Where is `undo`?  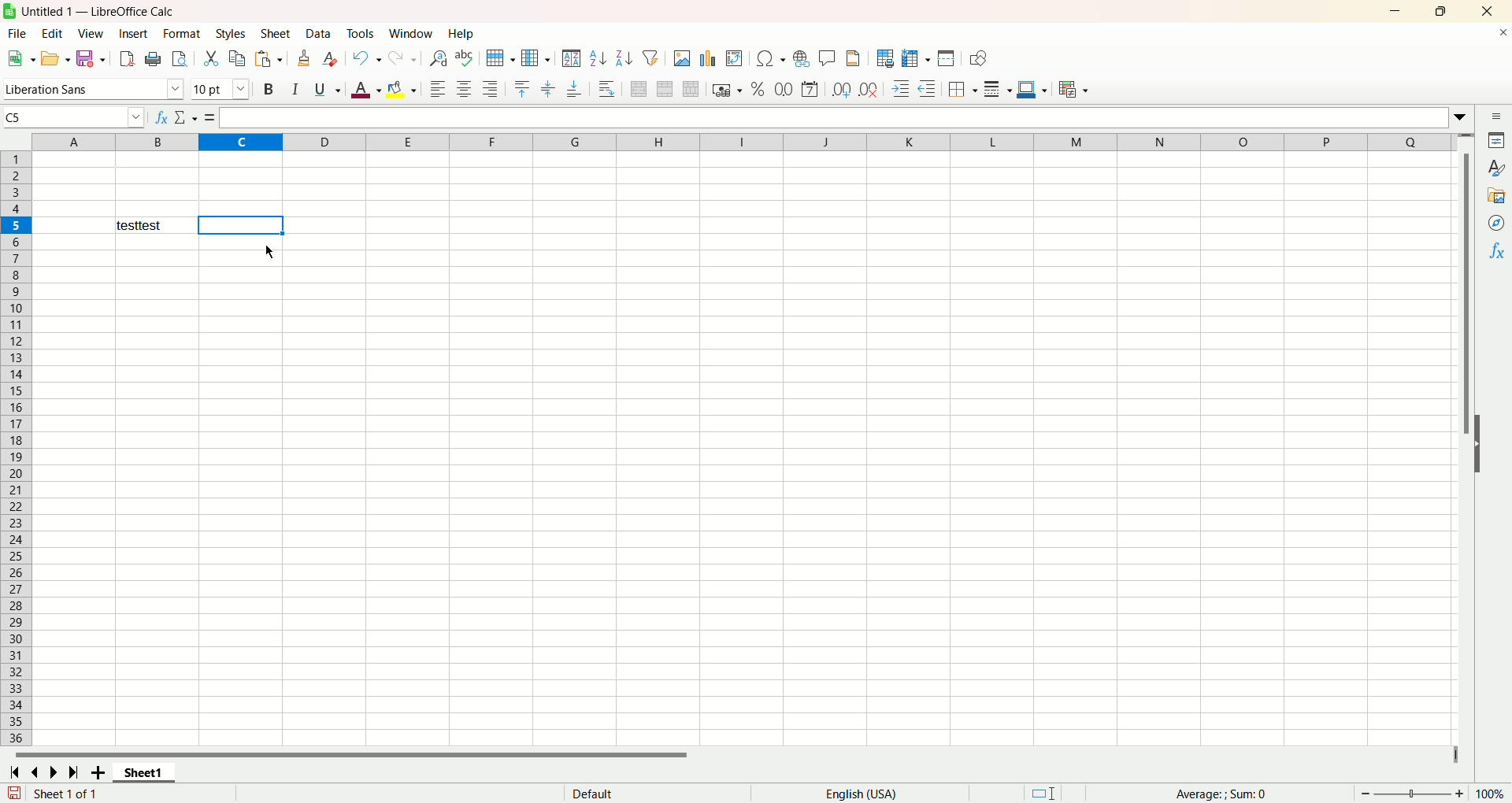
undo is located at coordinates (365, 58).